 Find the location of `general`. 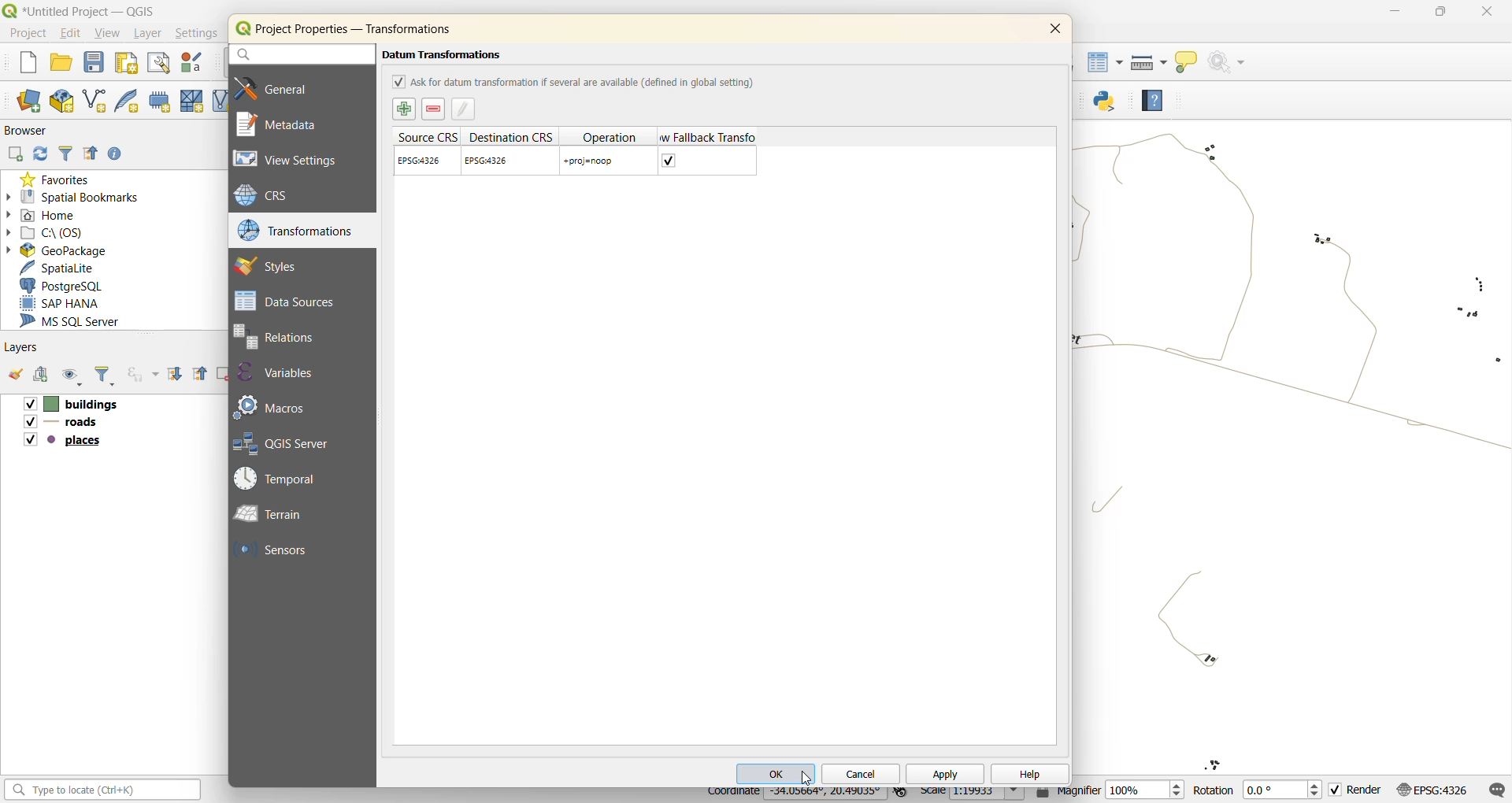

general is located at coordinates (287, 87).